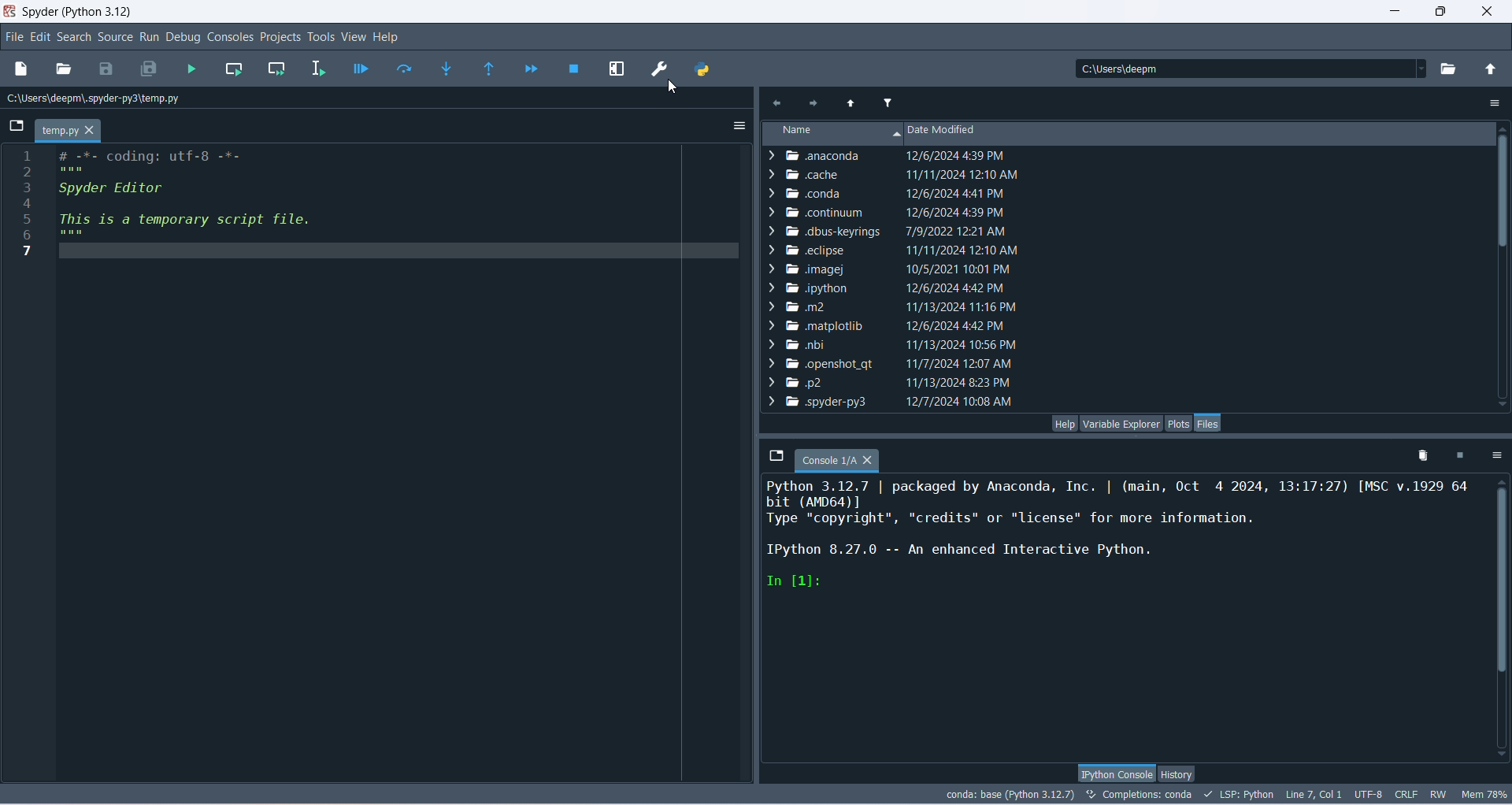  What do you see at coordinates (358, 70) in the screenshot?
I see `debug file` at bounding box center [358, 70].